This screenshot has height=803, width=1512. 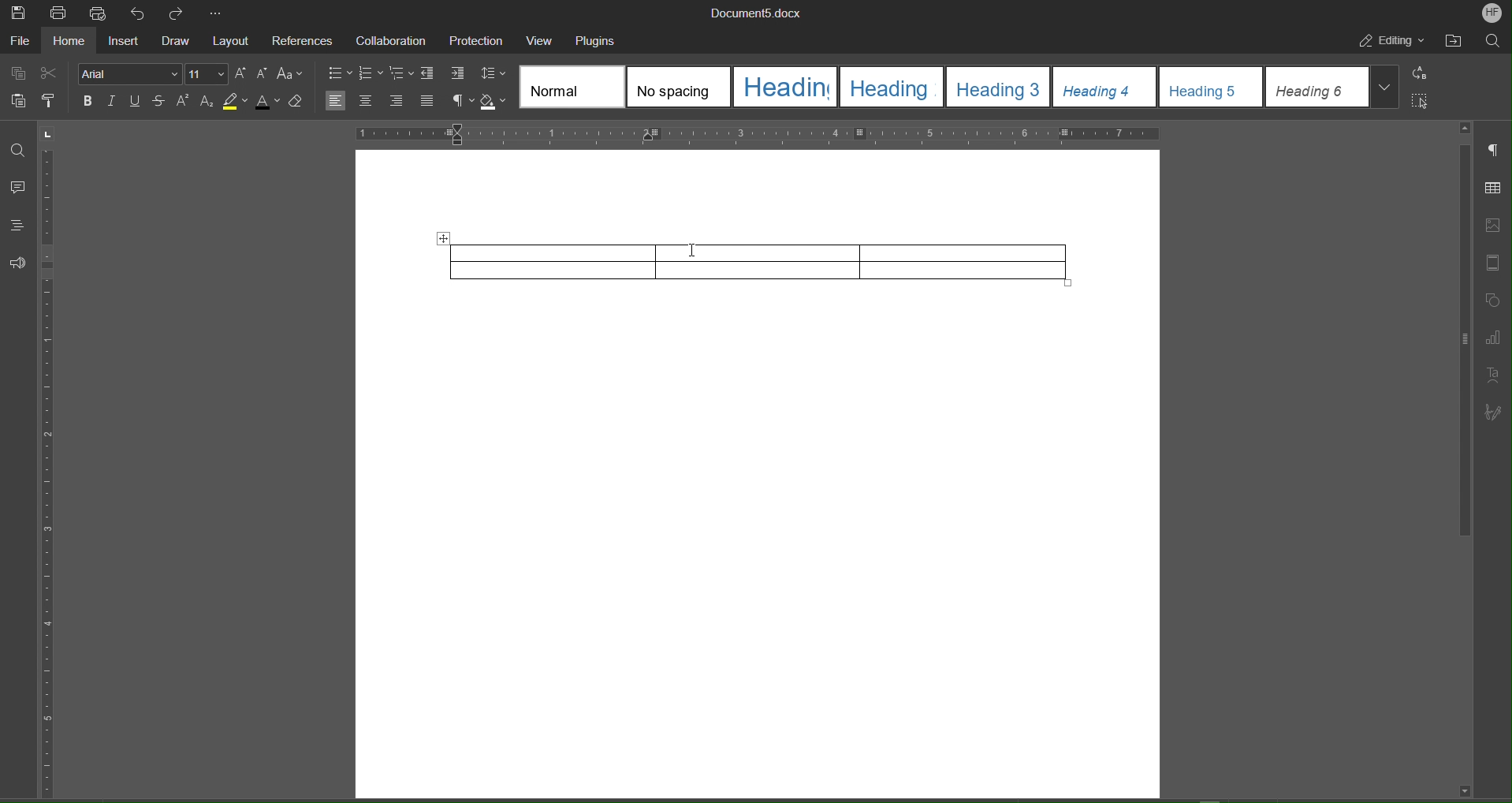 I want to click on Copy, so click(x=16, y=72).